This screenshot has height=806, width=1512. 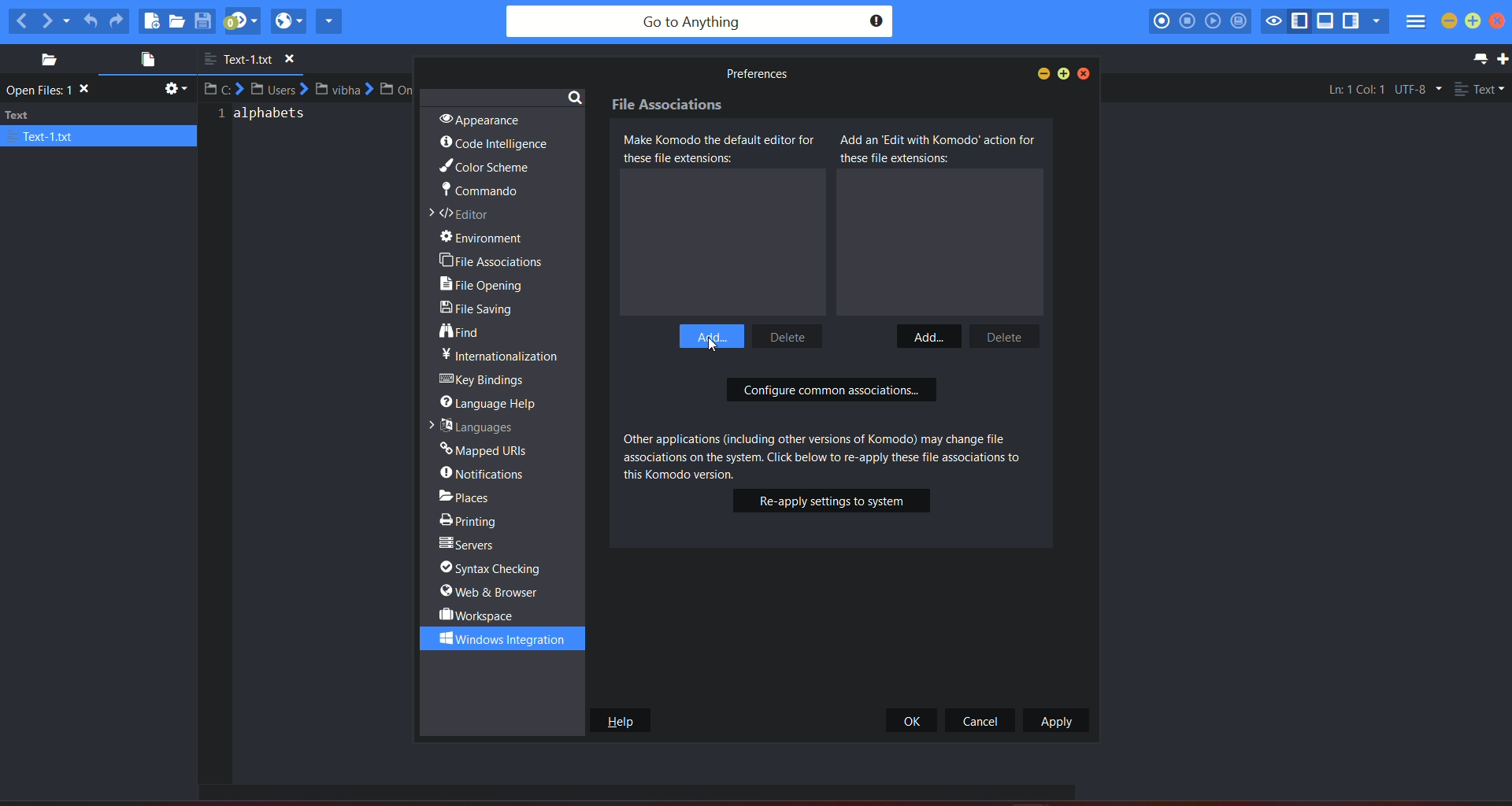 I want to click on open file, so click(x=180, y=22).